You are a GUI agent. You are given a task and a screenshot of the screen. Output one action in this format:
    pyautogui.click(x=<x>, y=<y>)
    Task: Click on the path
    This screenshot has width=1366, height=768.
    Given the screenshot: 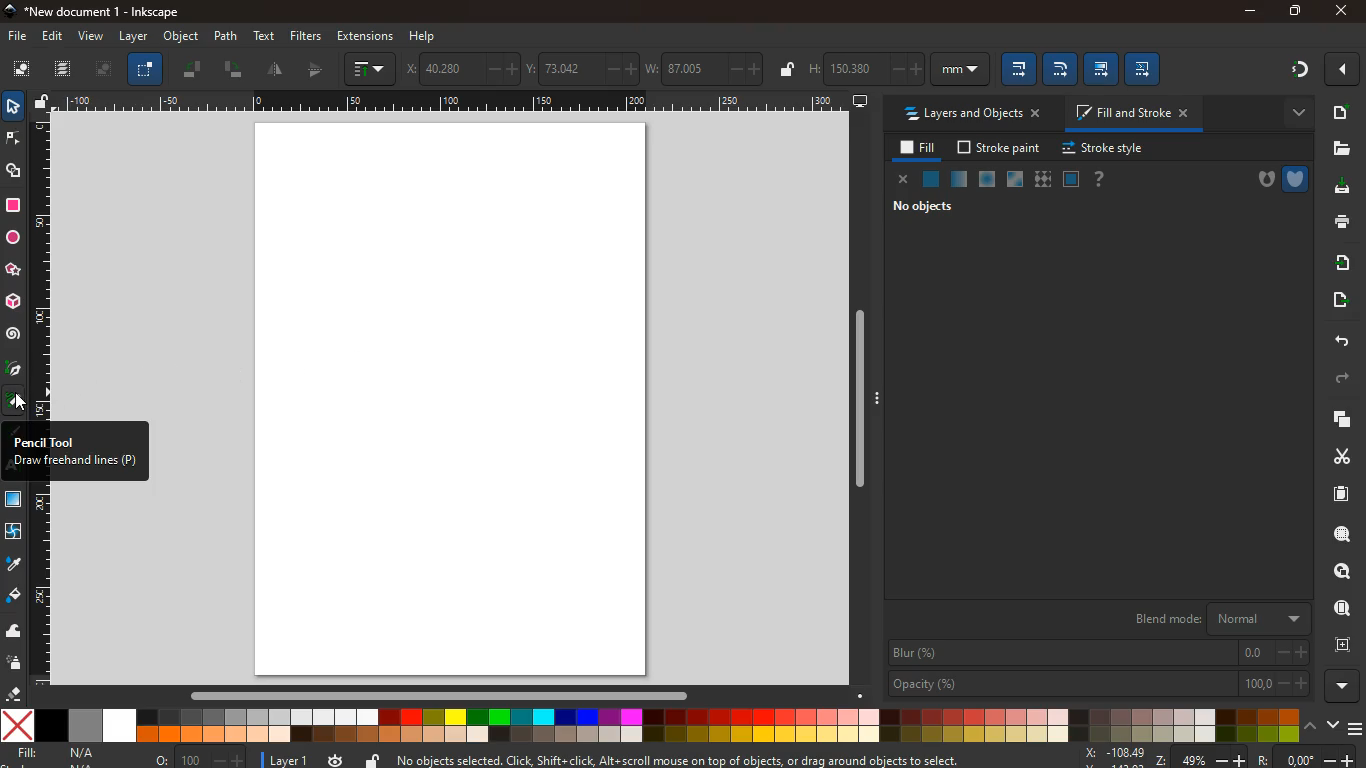 What is the action you would take?
    pyautogui.click(x=228, y=35)
    